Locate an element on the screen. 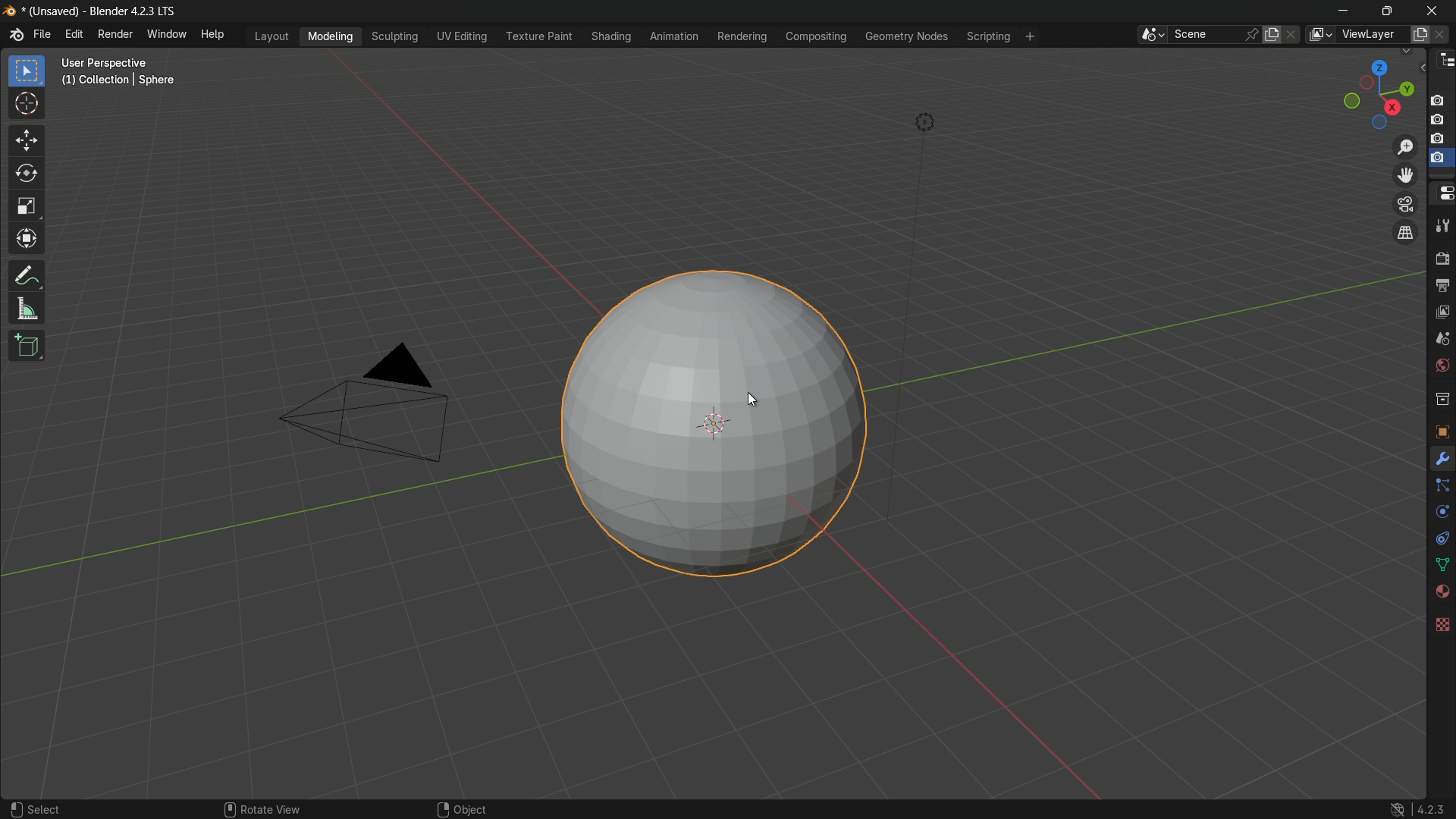 Image resolution: width=1456 pixels, height=819 pixels. move the view is located at coordinates (1406, 176).